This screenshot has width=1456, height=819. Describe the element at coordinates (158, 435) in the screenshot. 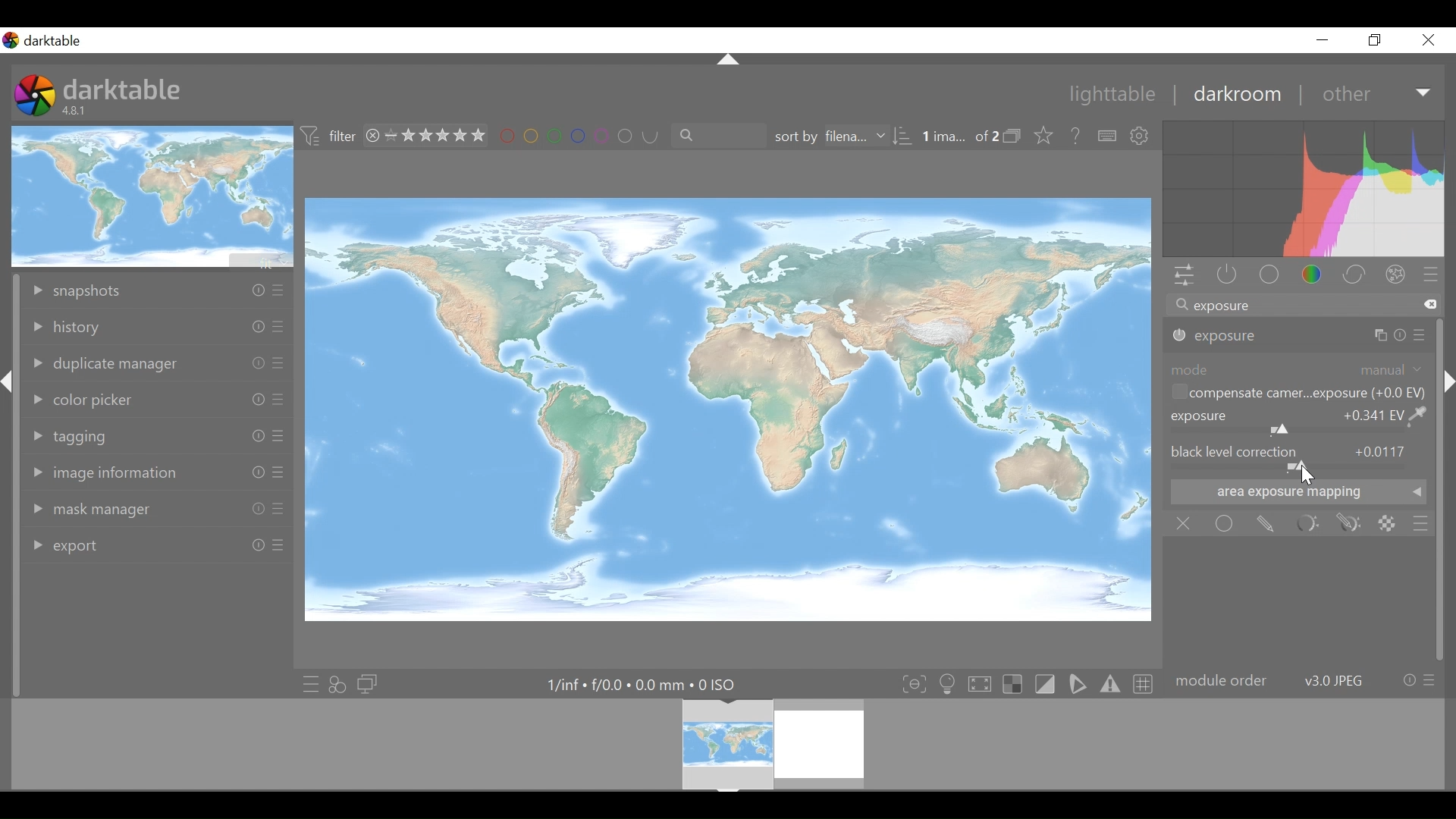

I see `tagging` at that location.